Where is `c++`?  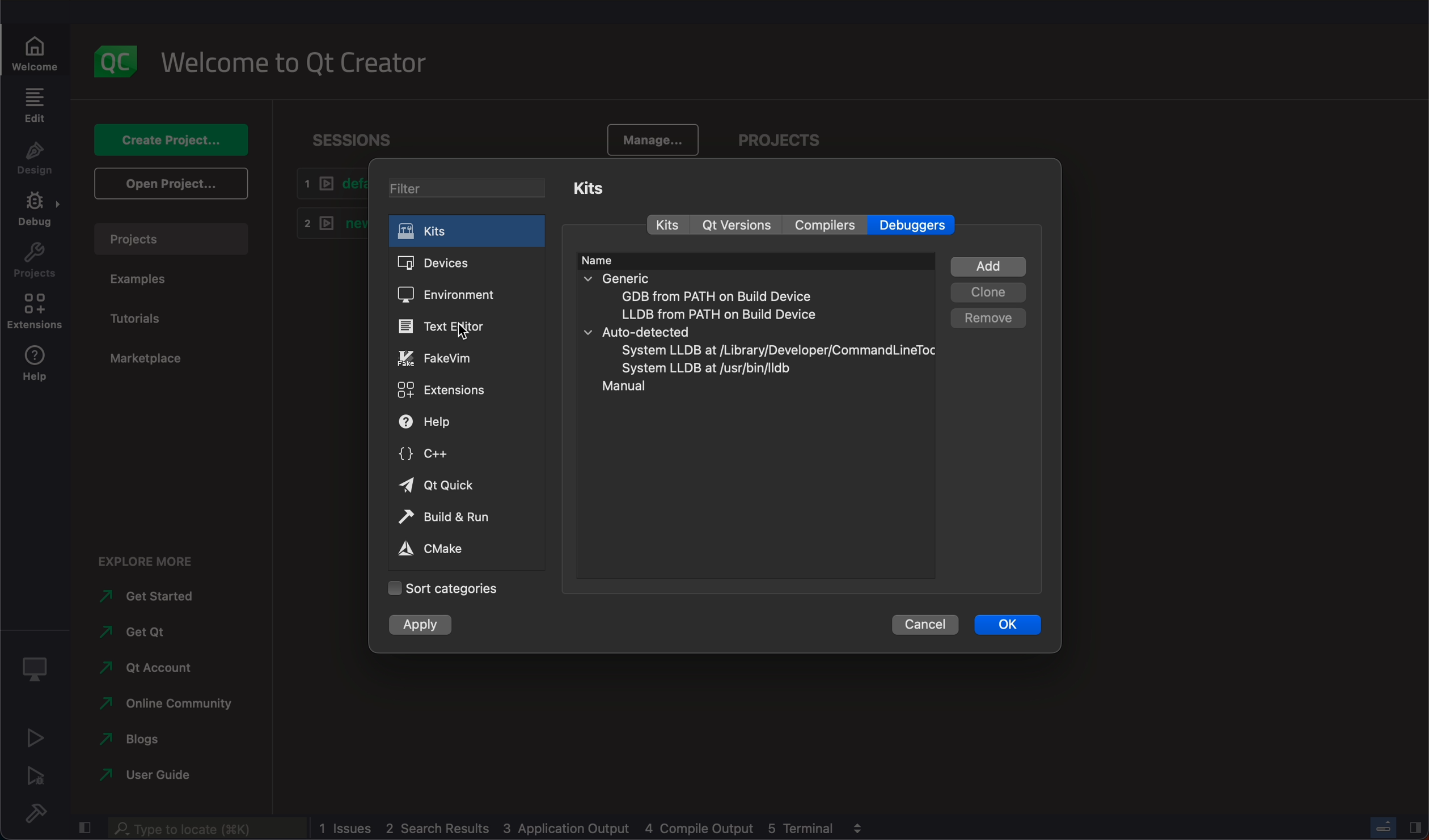
c++ is located at coordinates (466, 457).